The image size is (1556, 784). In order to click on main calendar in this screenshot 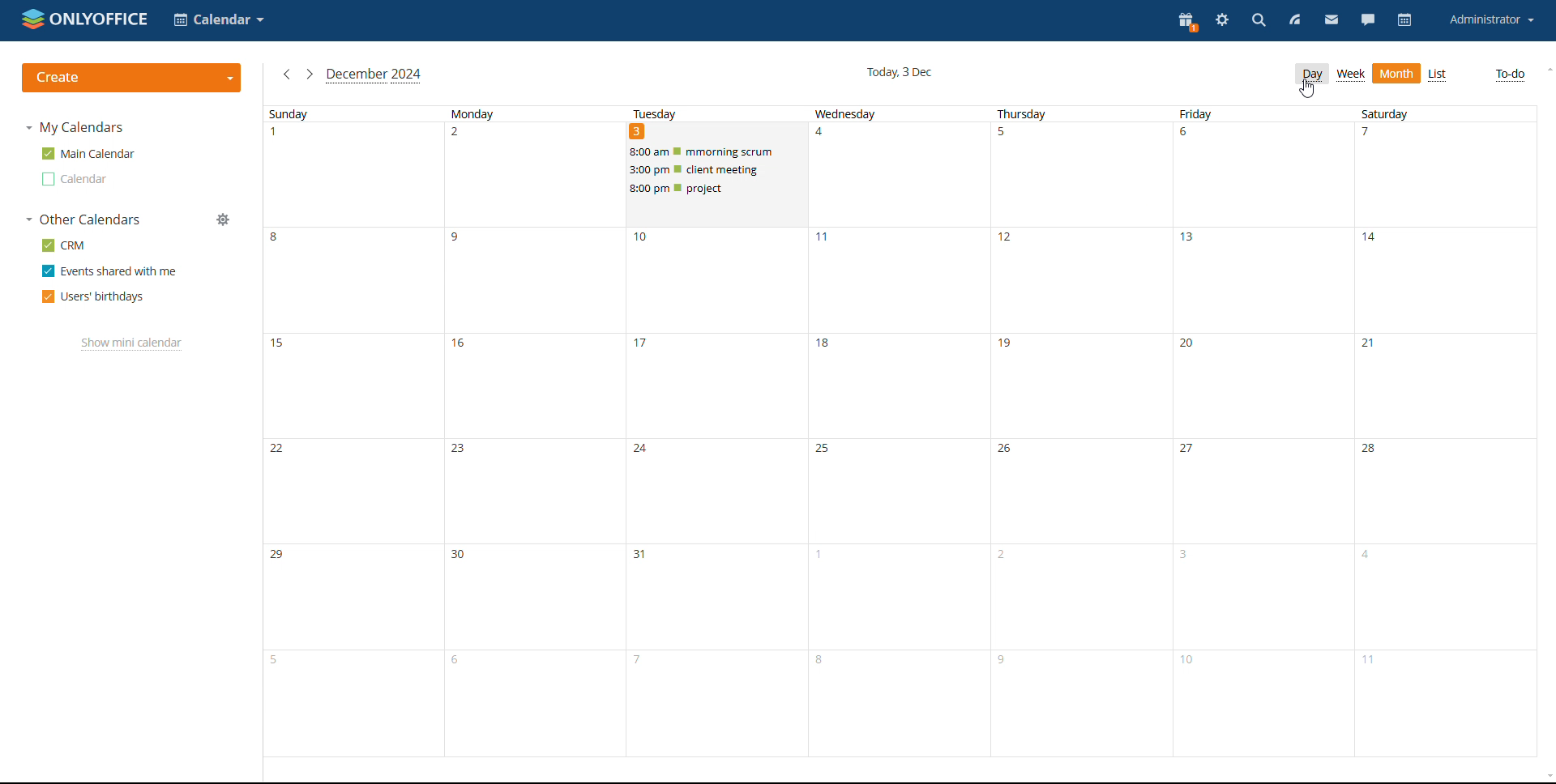, I will do `click(87, 154)`.